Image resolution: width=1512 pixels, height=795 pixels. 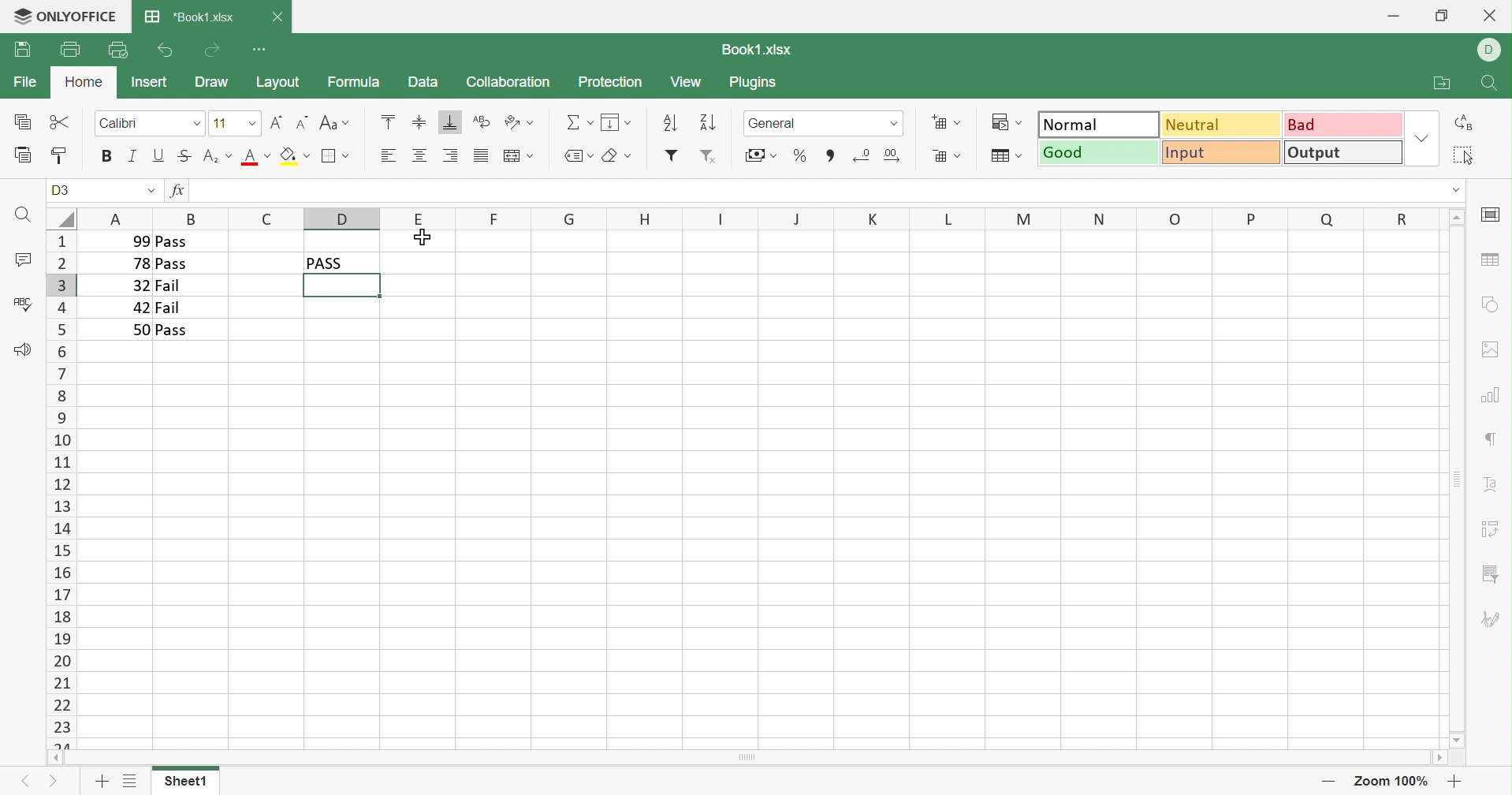 I want to click on Accounting style, so click(x=760, y=157).